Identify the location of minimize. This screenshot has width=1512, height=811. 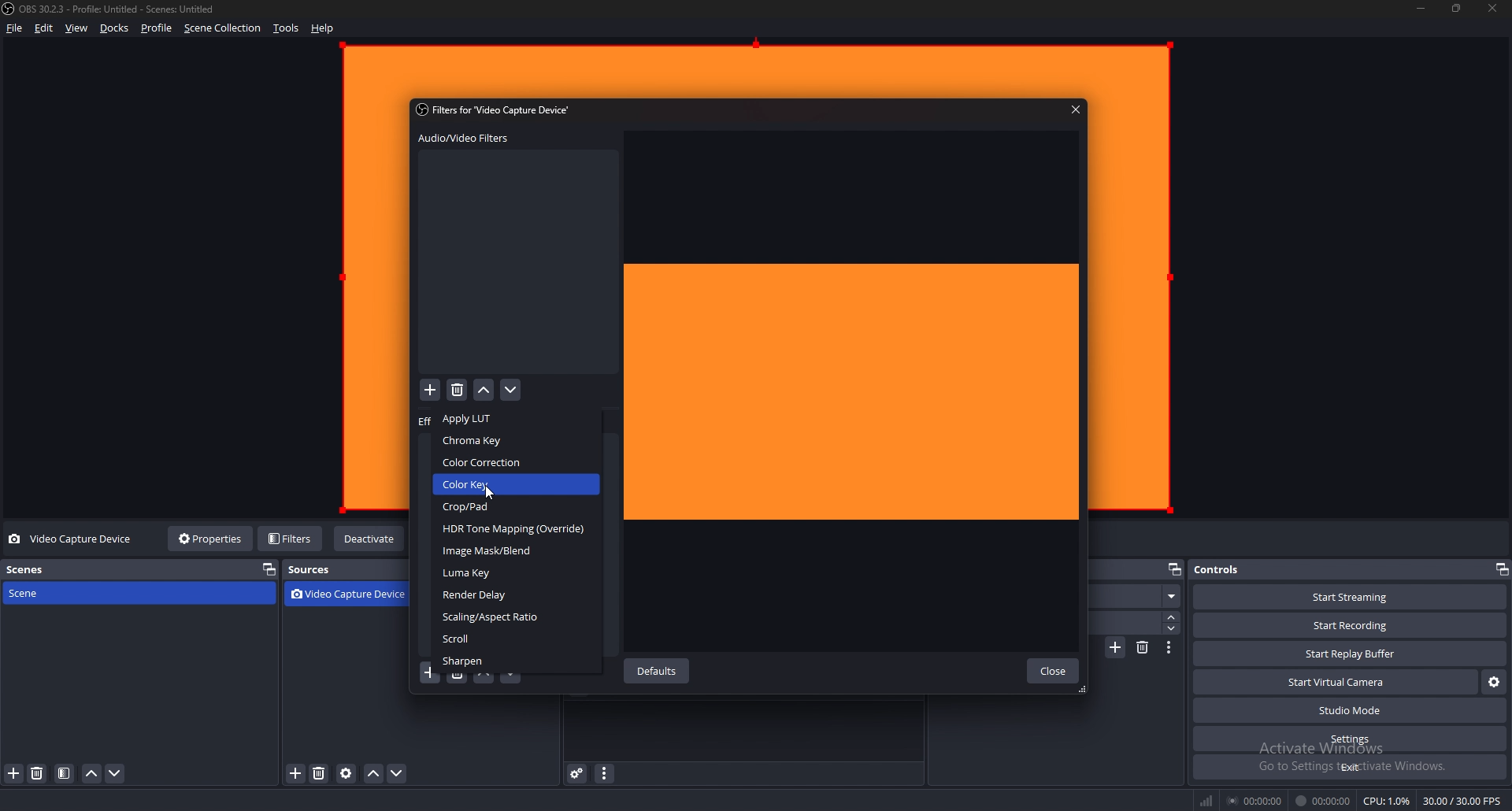
(1421, 9).